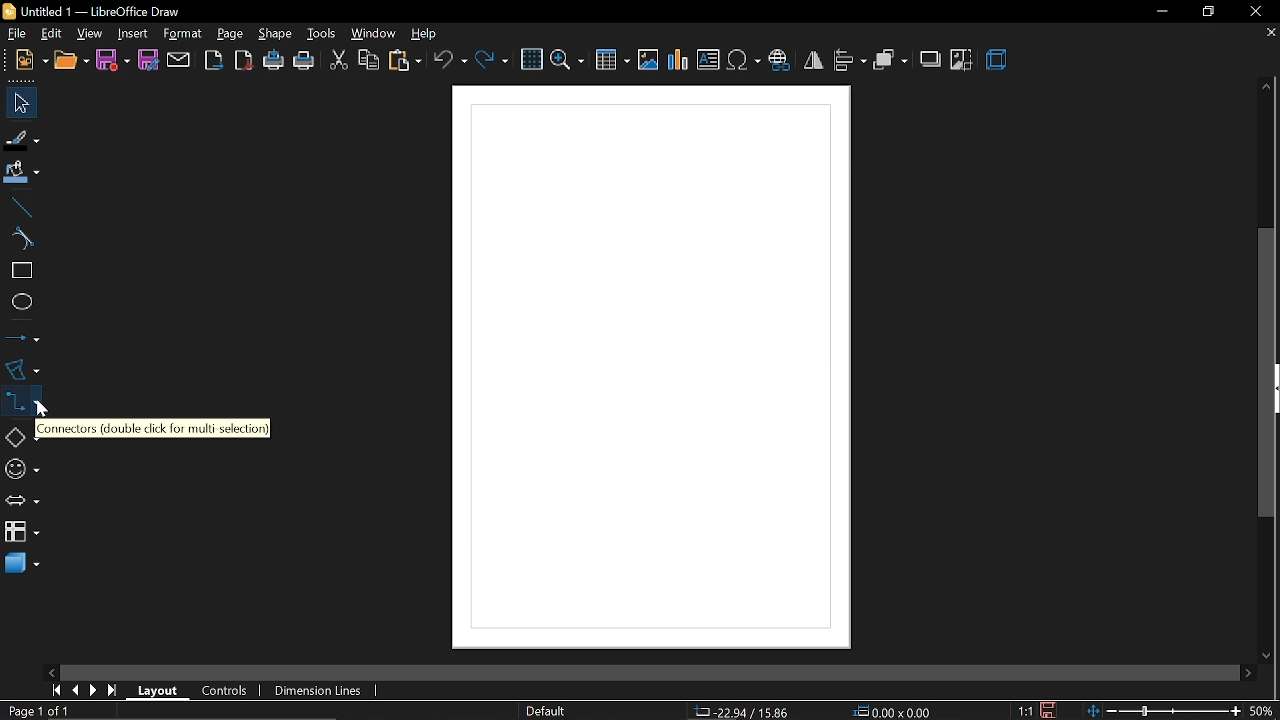 The width and height of the screenshot is (1280, 720). What do you see at coordinates (743, 61) in the screenshot?
I see `Insert symbol` at bounding box center [743, 61].